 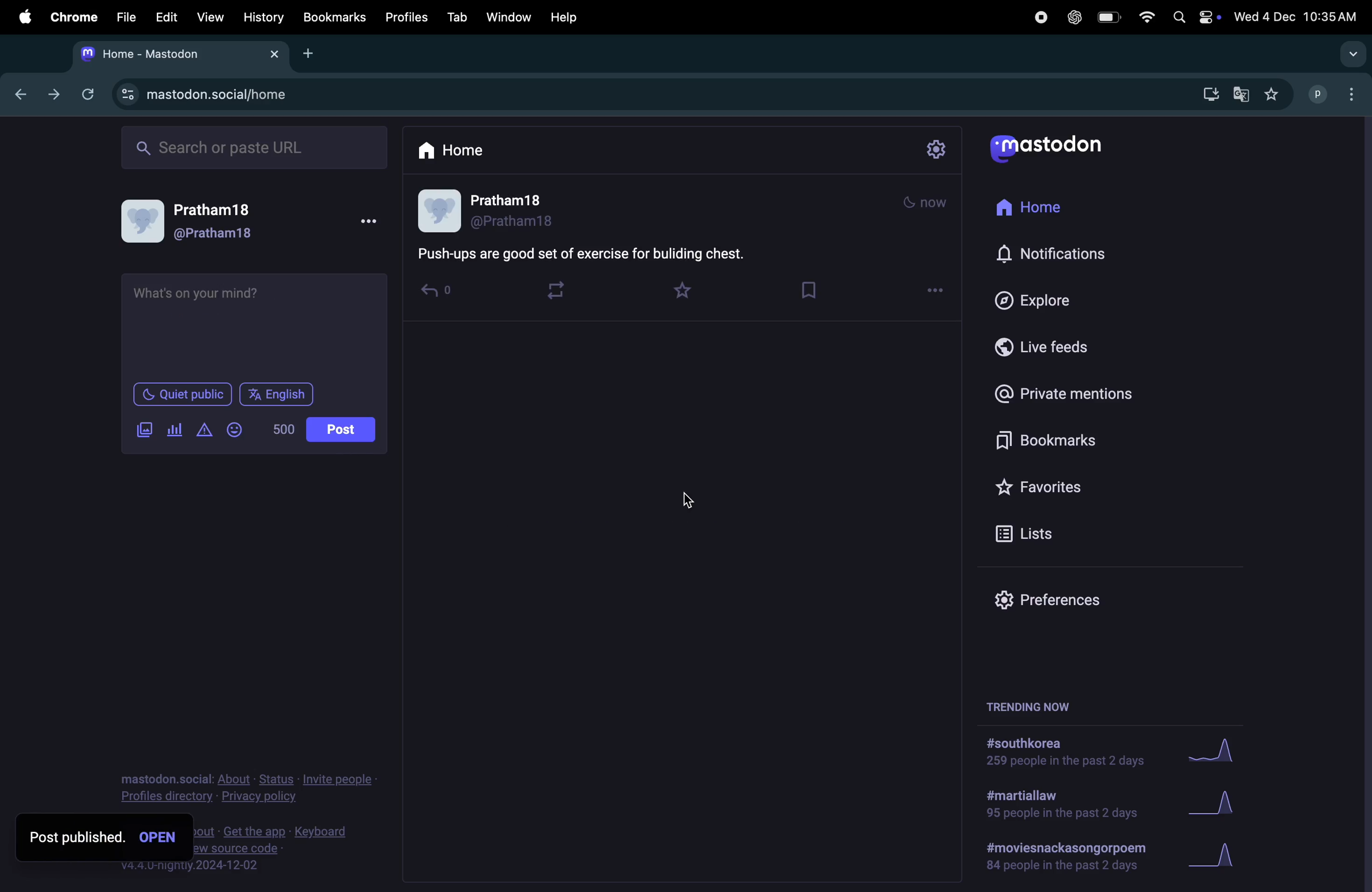 What do you see at coordinates (205, 432) in the screenshot?
I see `create alert` at bounding box center [205, 432].